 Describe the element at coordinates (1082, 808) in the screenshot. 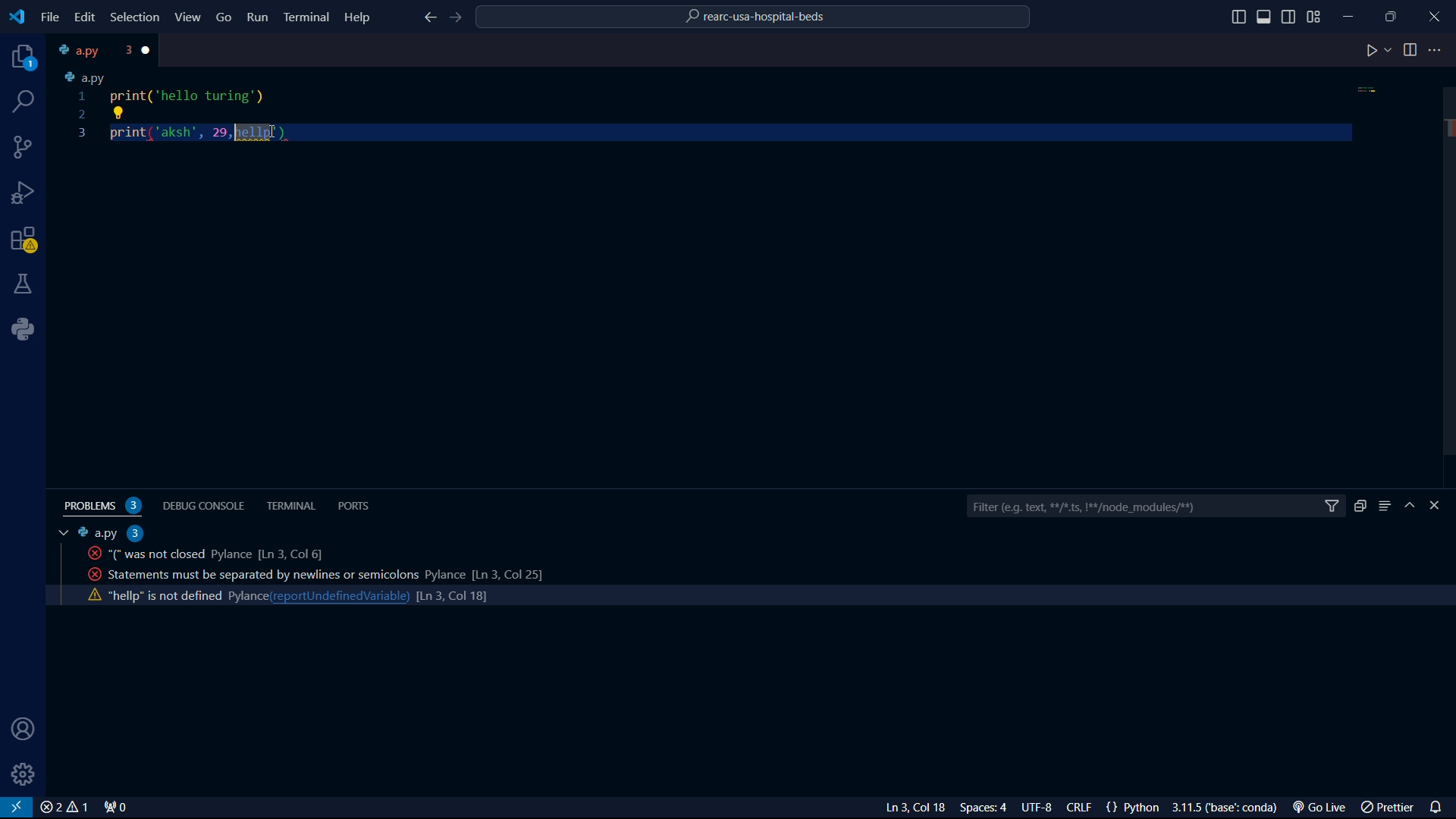

I see `CRLF` at that location.